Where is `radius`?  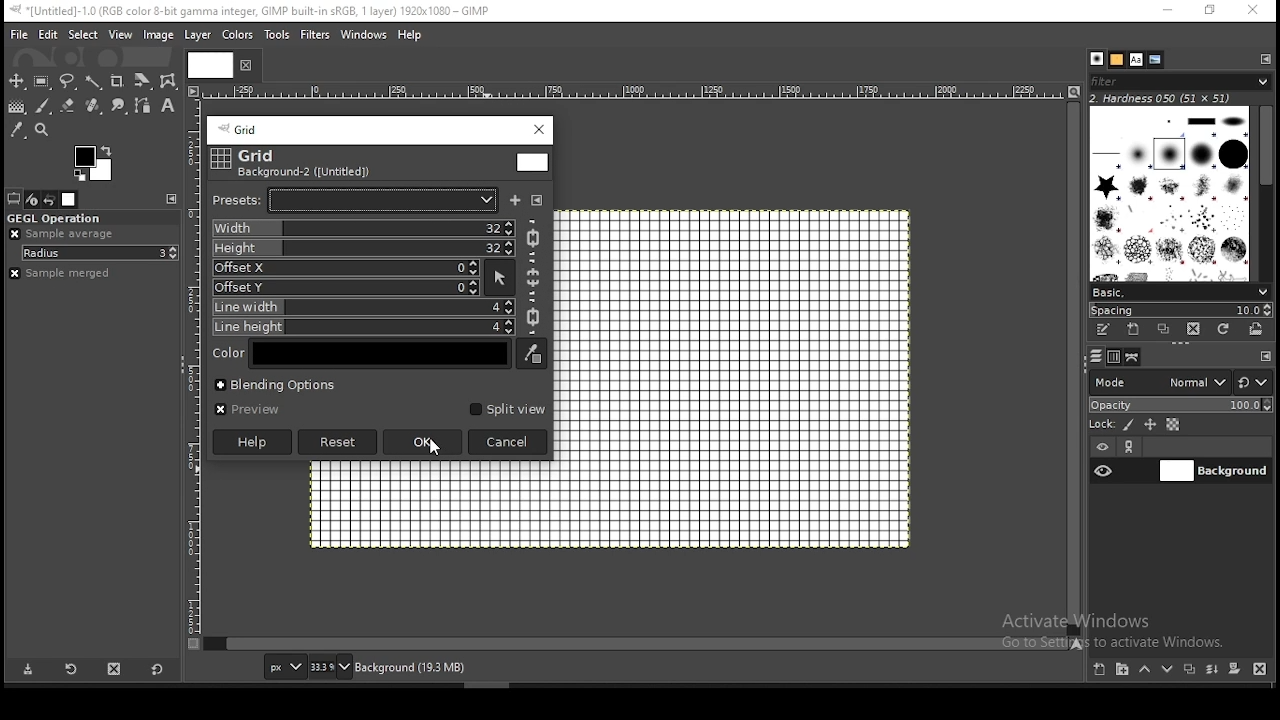 radius is located at coordinates (101, 253).